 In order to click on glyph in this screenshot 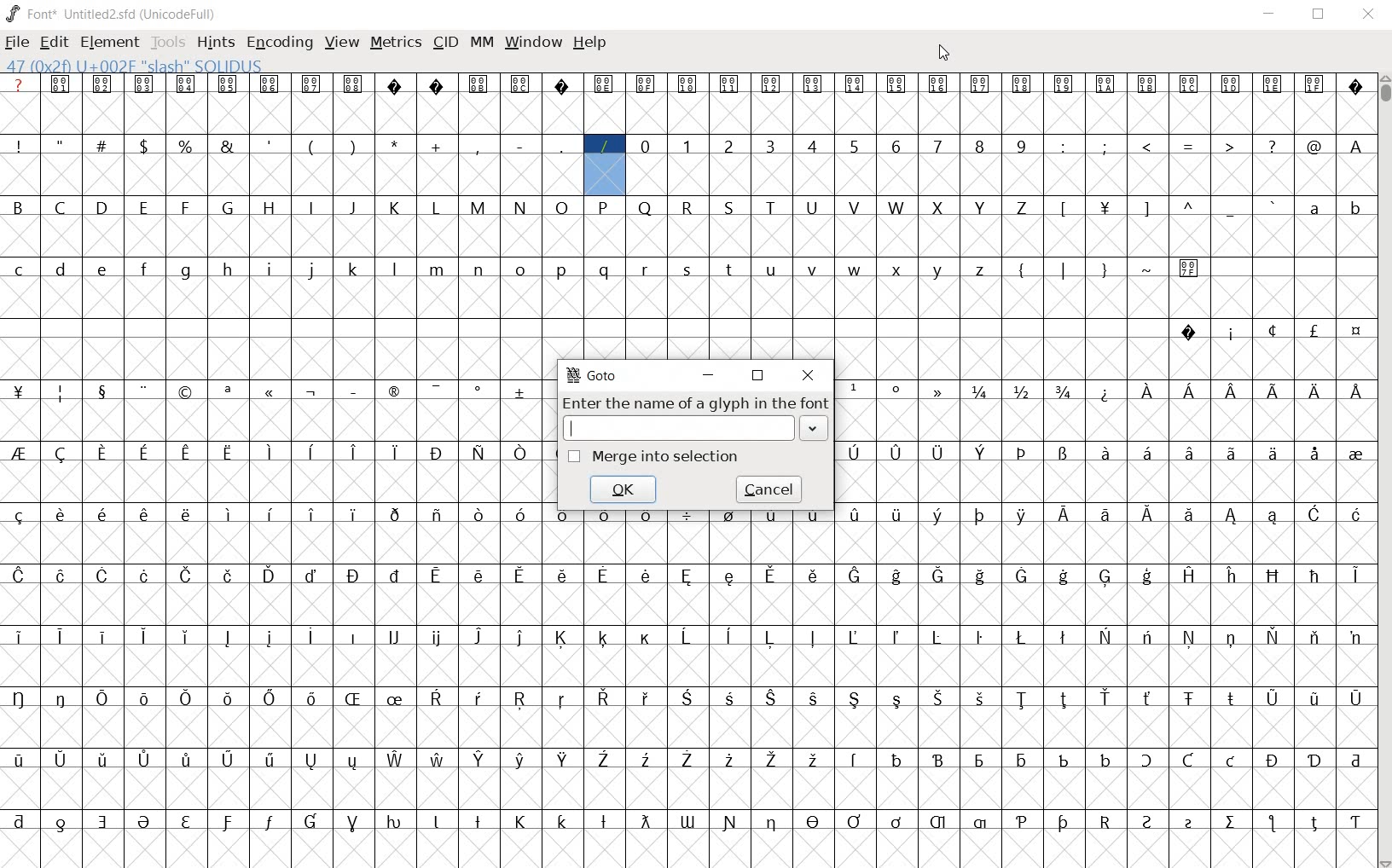, I will do `click(855, 387)`.